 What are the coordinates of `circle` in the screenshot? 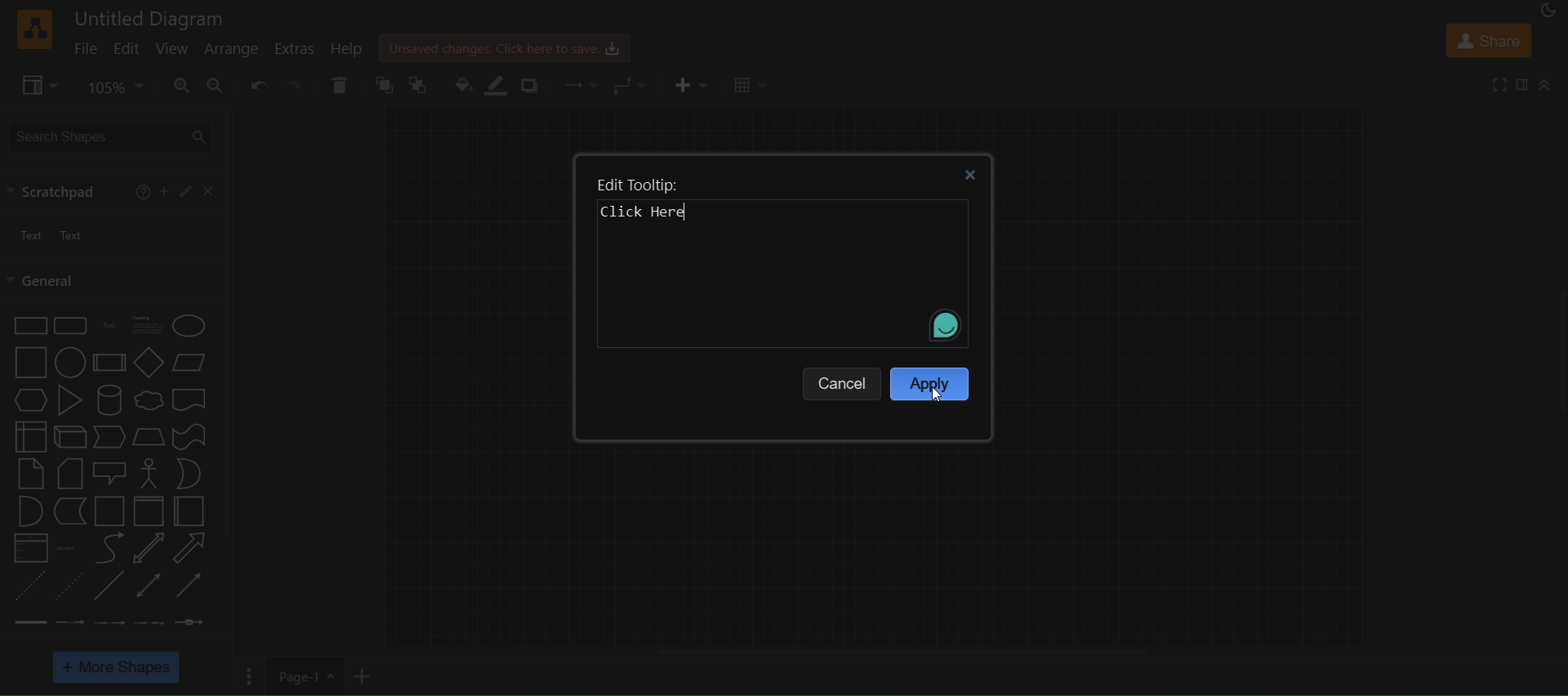 It's located at (70, 362).